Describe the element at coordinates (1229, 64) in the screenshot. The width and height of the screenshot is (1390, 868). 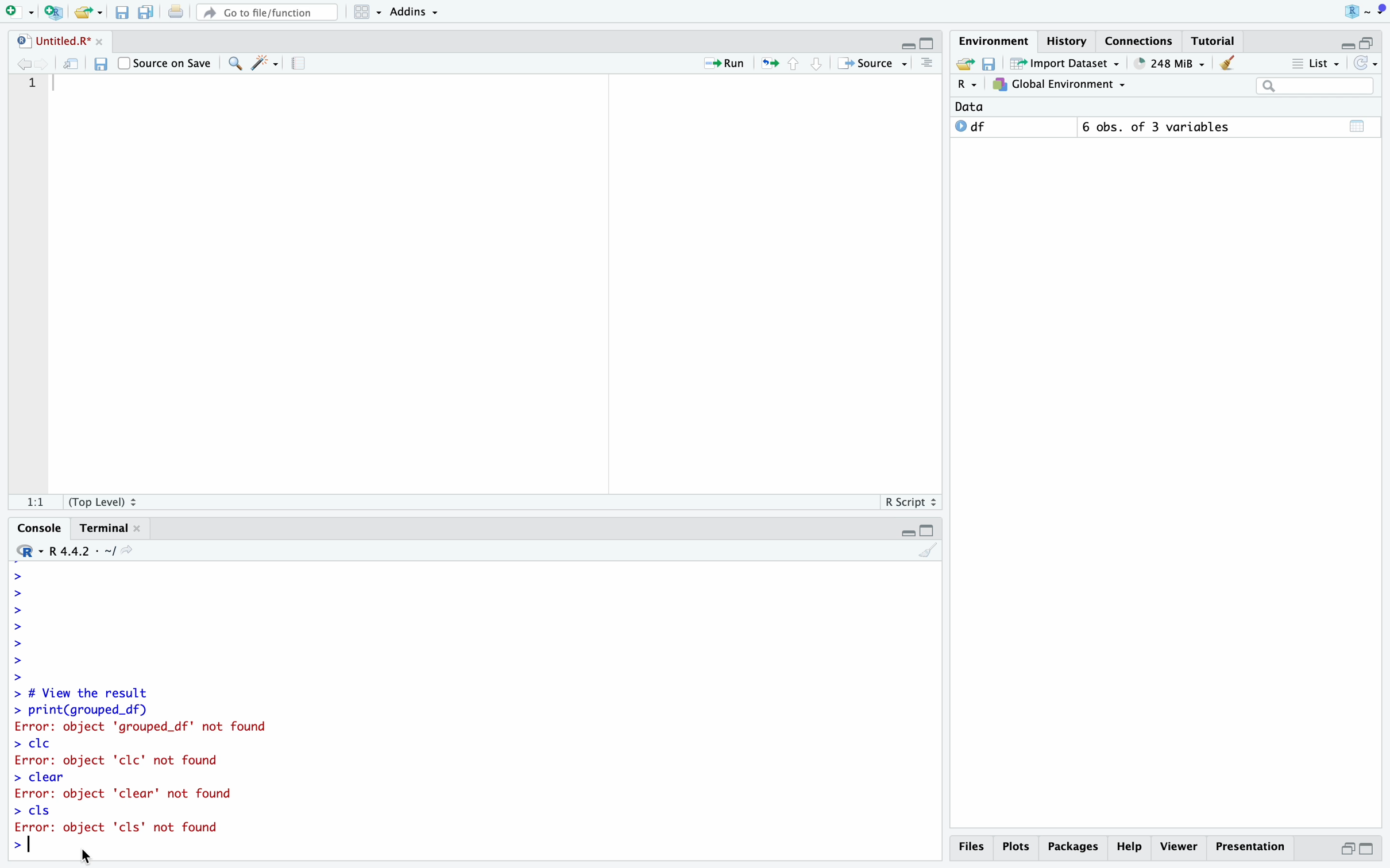
I see `Clear` at that location.